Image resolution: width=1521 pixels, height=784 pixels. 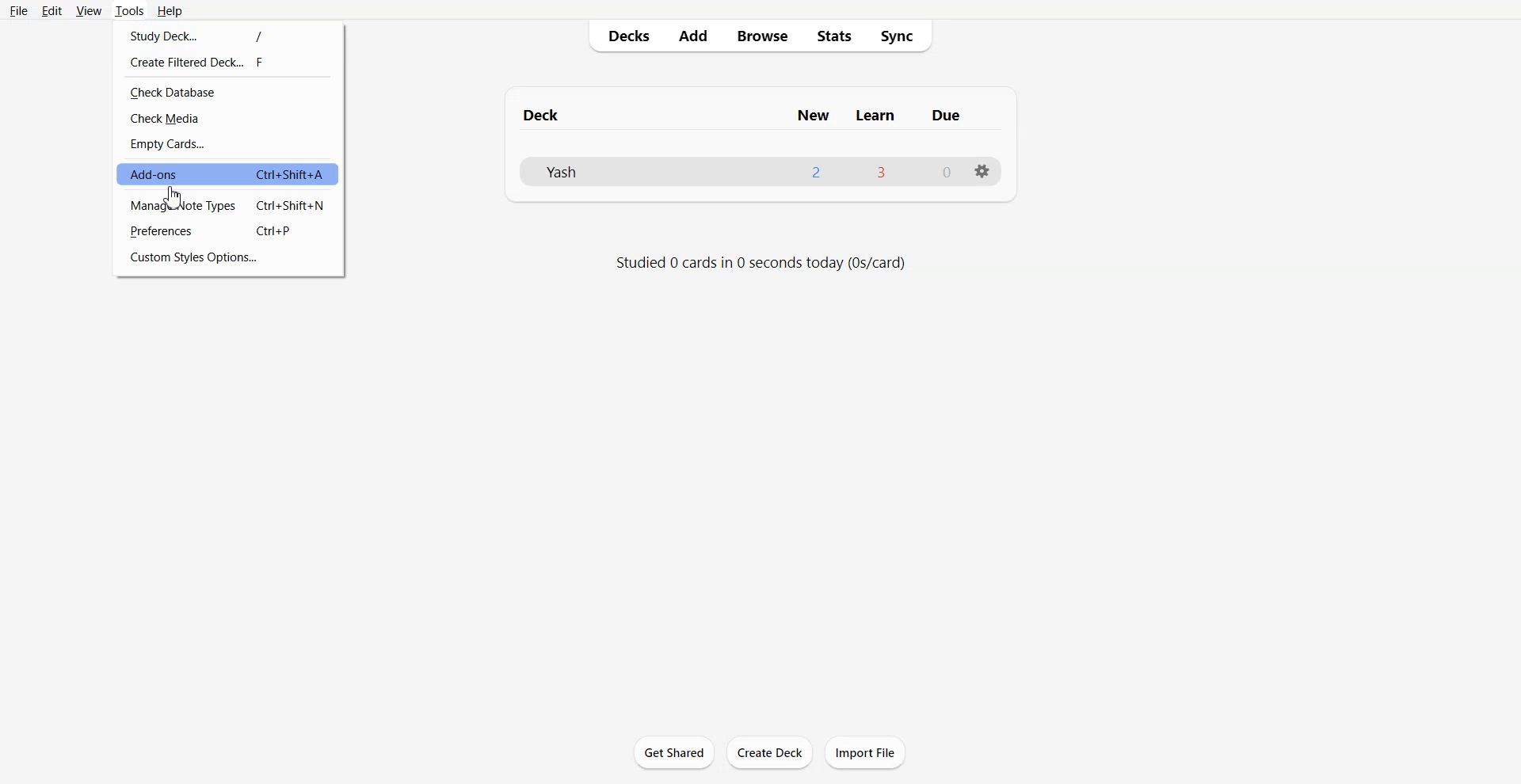 What do you see at coordinates (622, 36) in the screenshot?
I see `Decks` at bounding box center [622, 36].